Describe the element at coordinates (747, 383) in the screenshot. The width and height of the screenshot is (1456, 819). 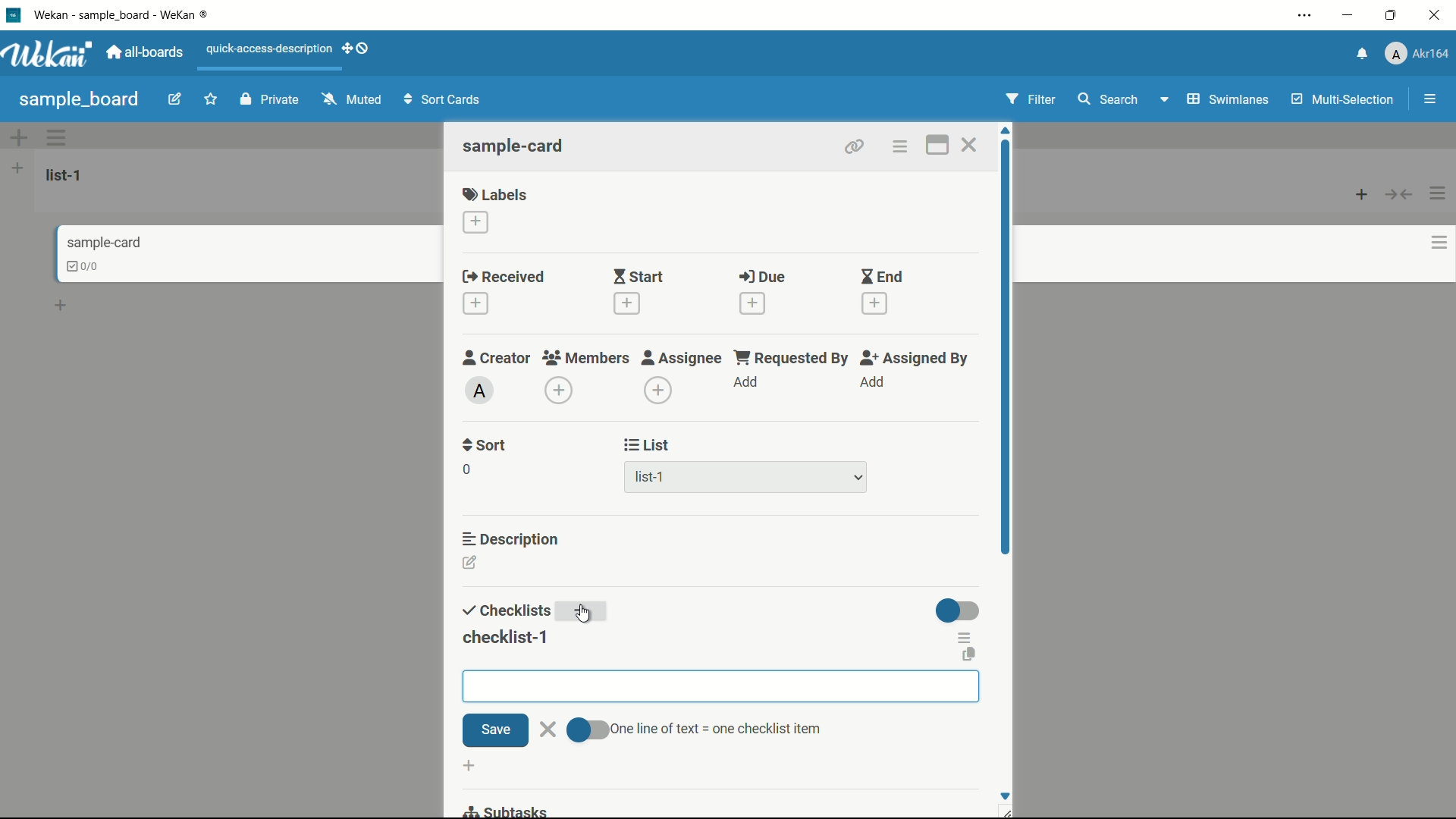
I see `add` at that location.